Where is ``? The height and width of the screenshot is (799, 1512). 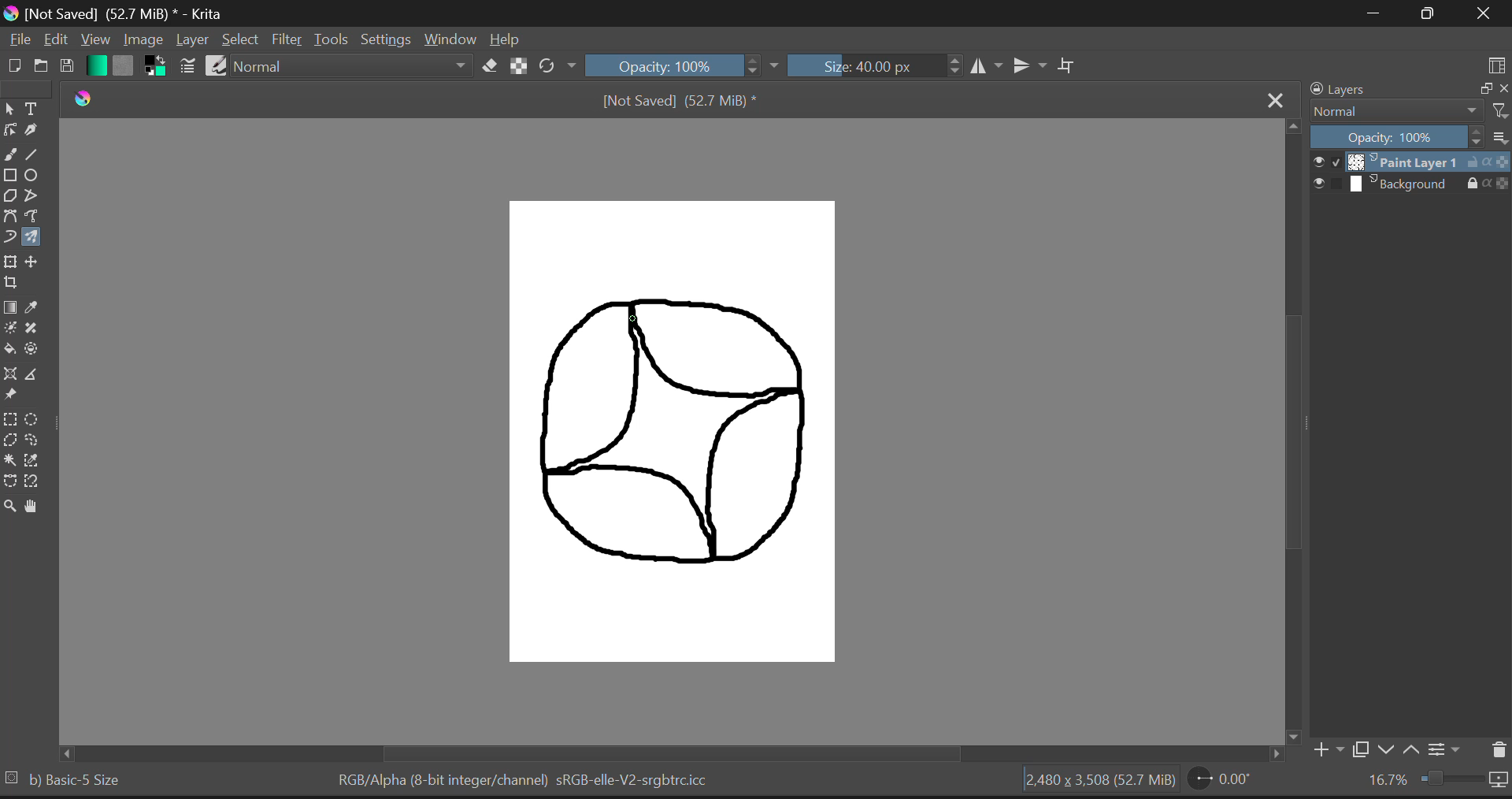
 is located at coordinates (10, 775).